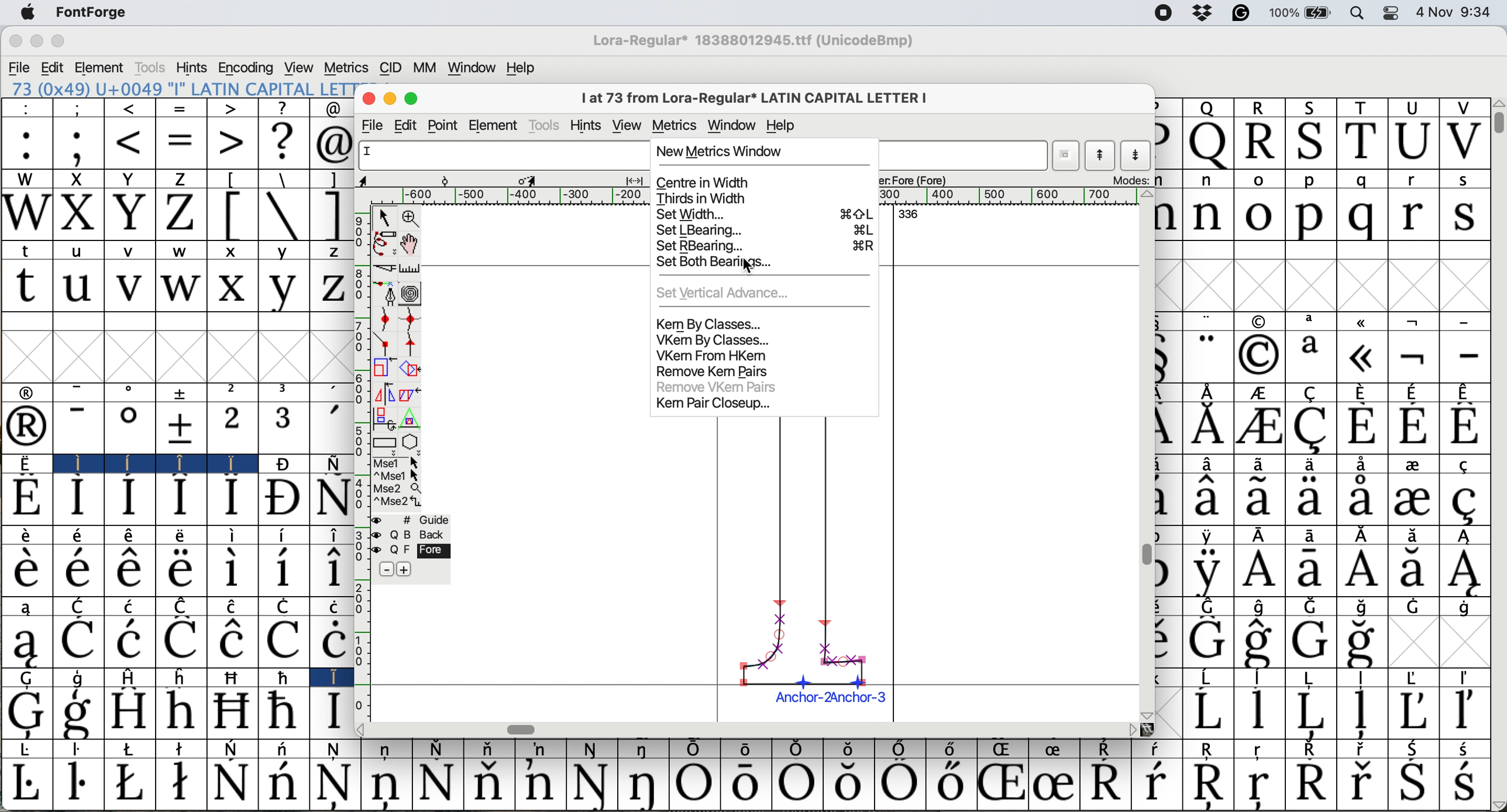 This screenshot has height=812, width=1507. Describe the element at coordinates (643, 751) in the screenshot. I see `Symbol` at that location.